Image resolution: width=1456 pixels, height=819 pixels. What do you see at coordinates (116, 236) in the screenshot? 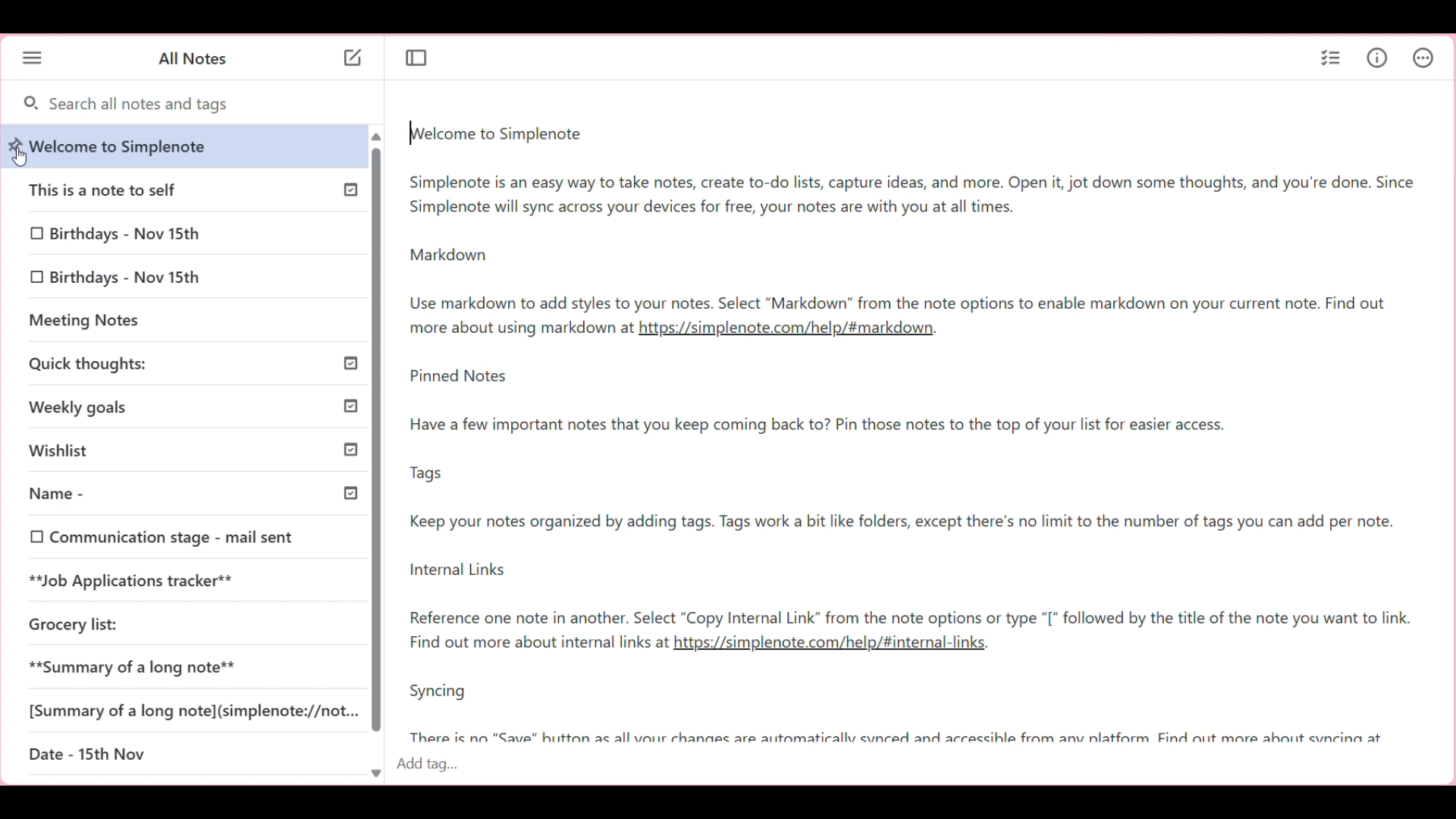
I see `0 Birthdays - Nov 15th` at bounding box center [116, 236].